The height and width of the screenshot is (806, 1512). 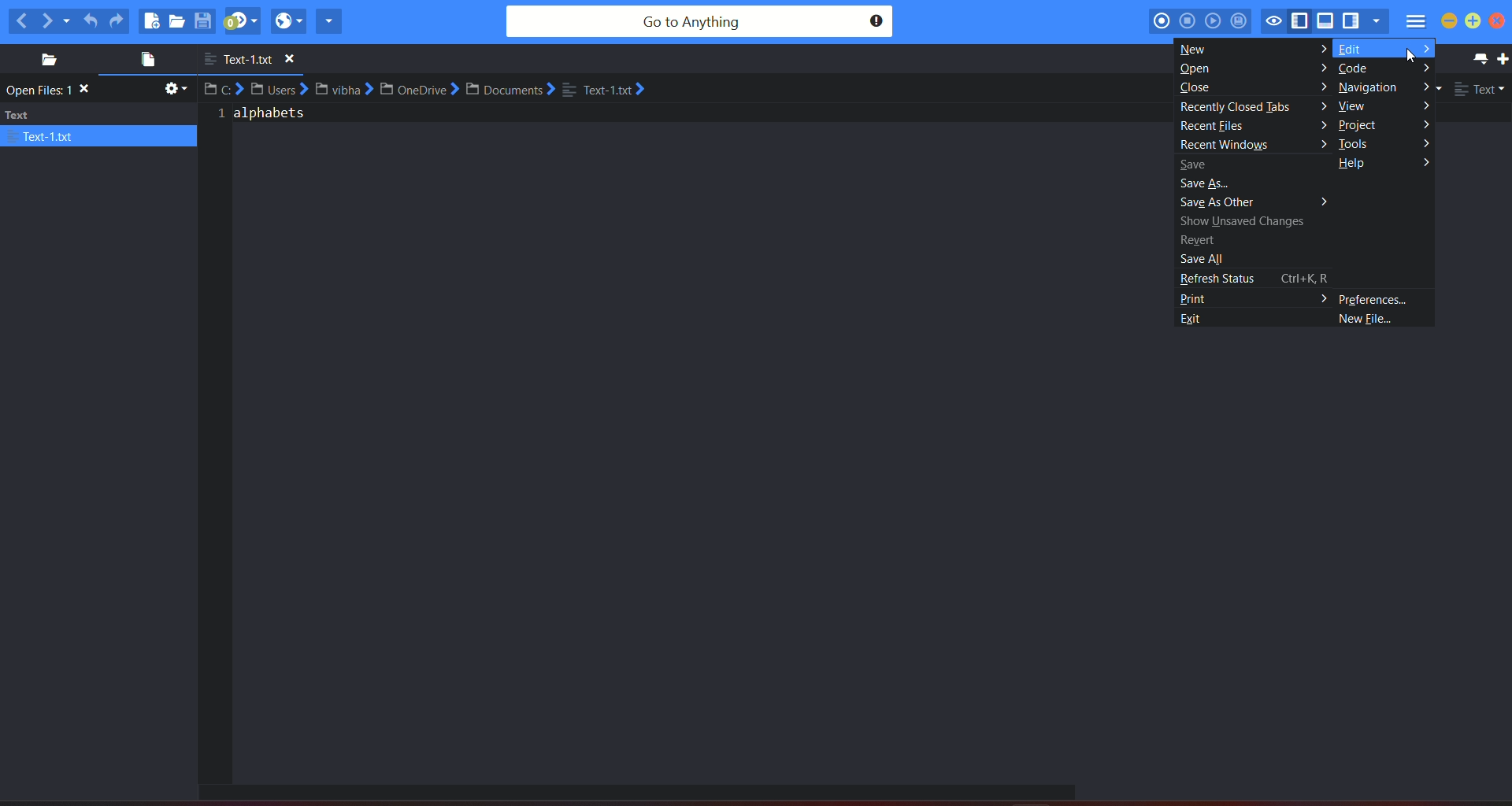 What do you see at coordinates (1428, 124) in the screenshot?
I see `More` at bounding box center [1428, 124].